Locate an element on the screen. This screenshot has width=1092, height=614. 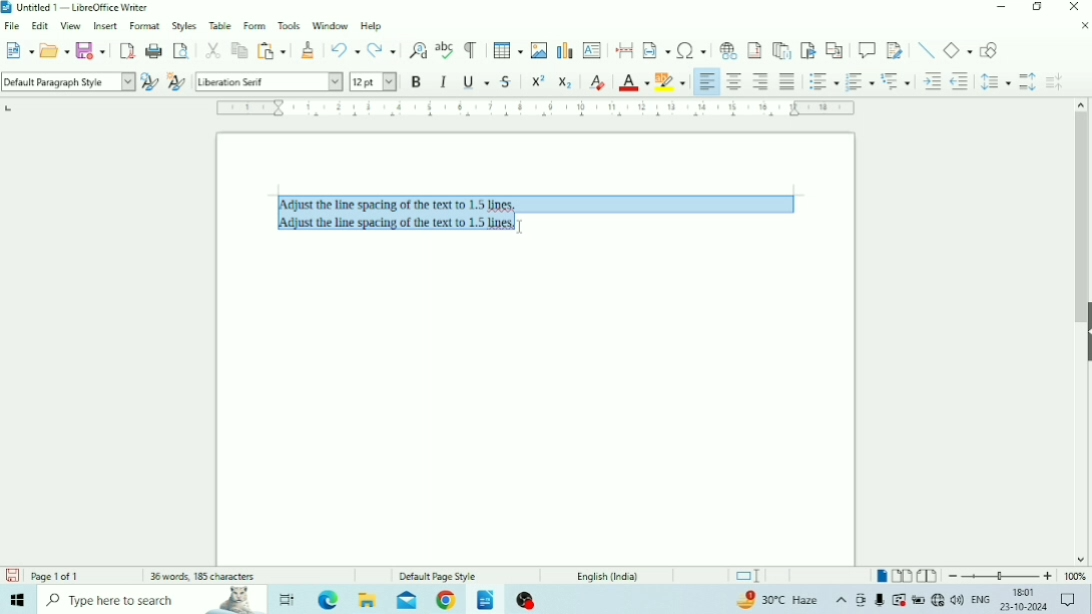
Open is located at coordinates (55, 50).